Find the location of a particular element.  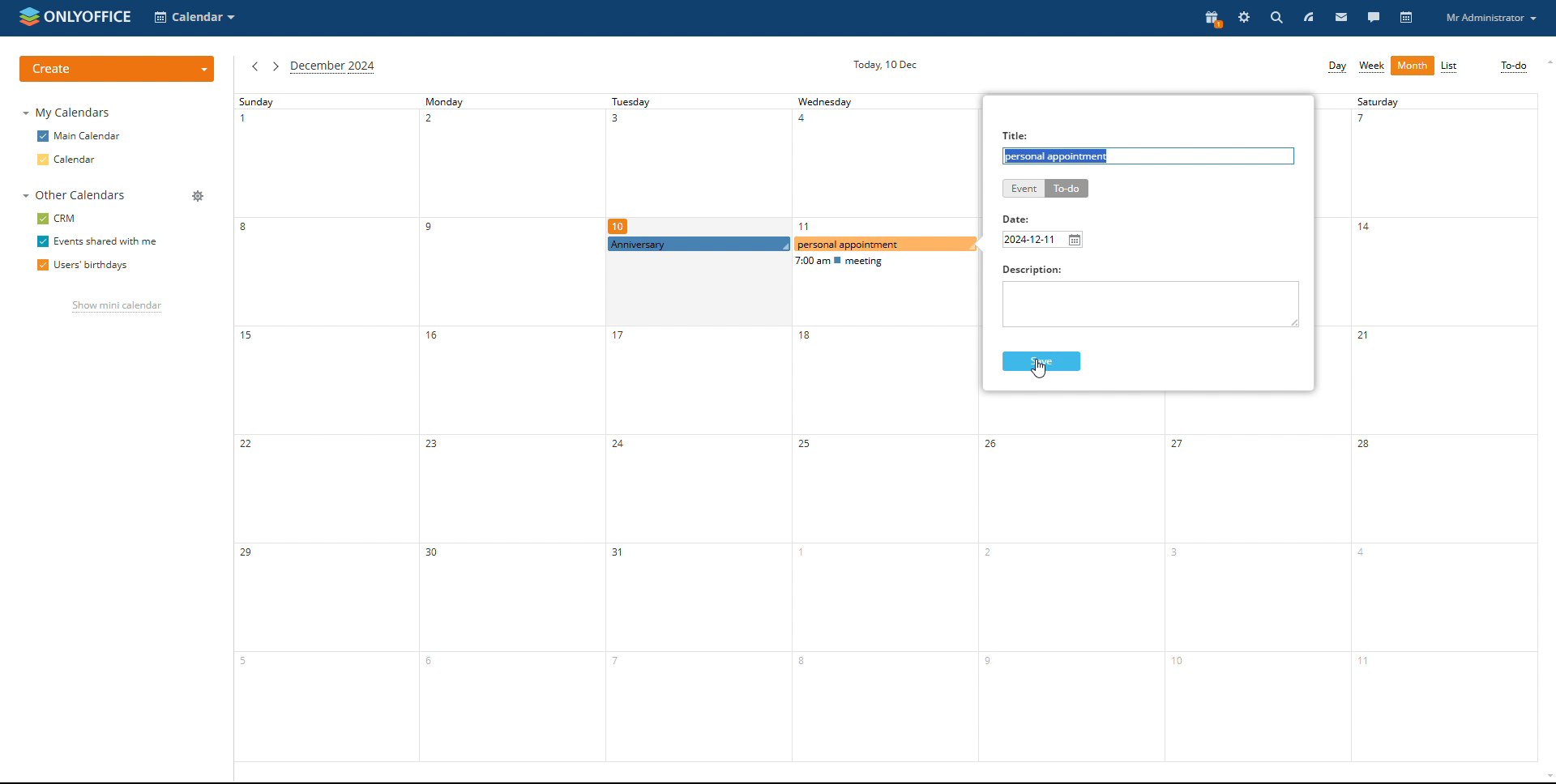

main calendar is located at coordinates (79, 136).